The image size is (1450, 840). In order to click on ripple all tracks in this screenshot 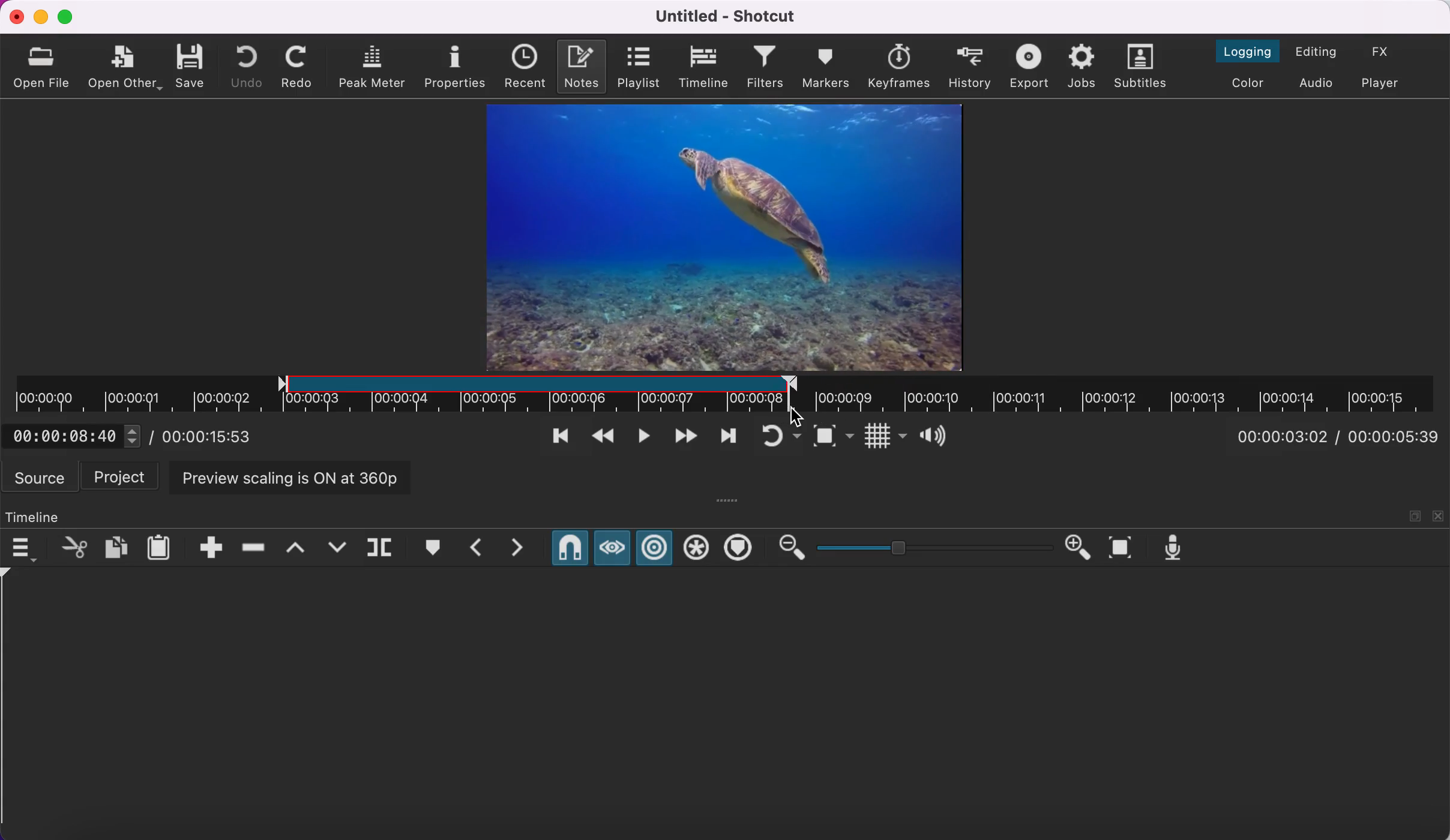, I will do `click(696, 550)`.